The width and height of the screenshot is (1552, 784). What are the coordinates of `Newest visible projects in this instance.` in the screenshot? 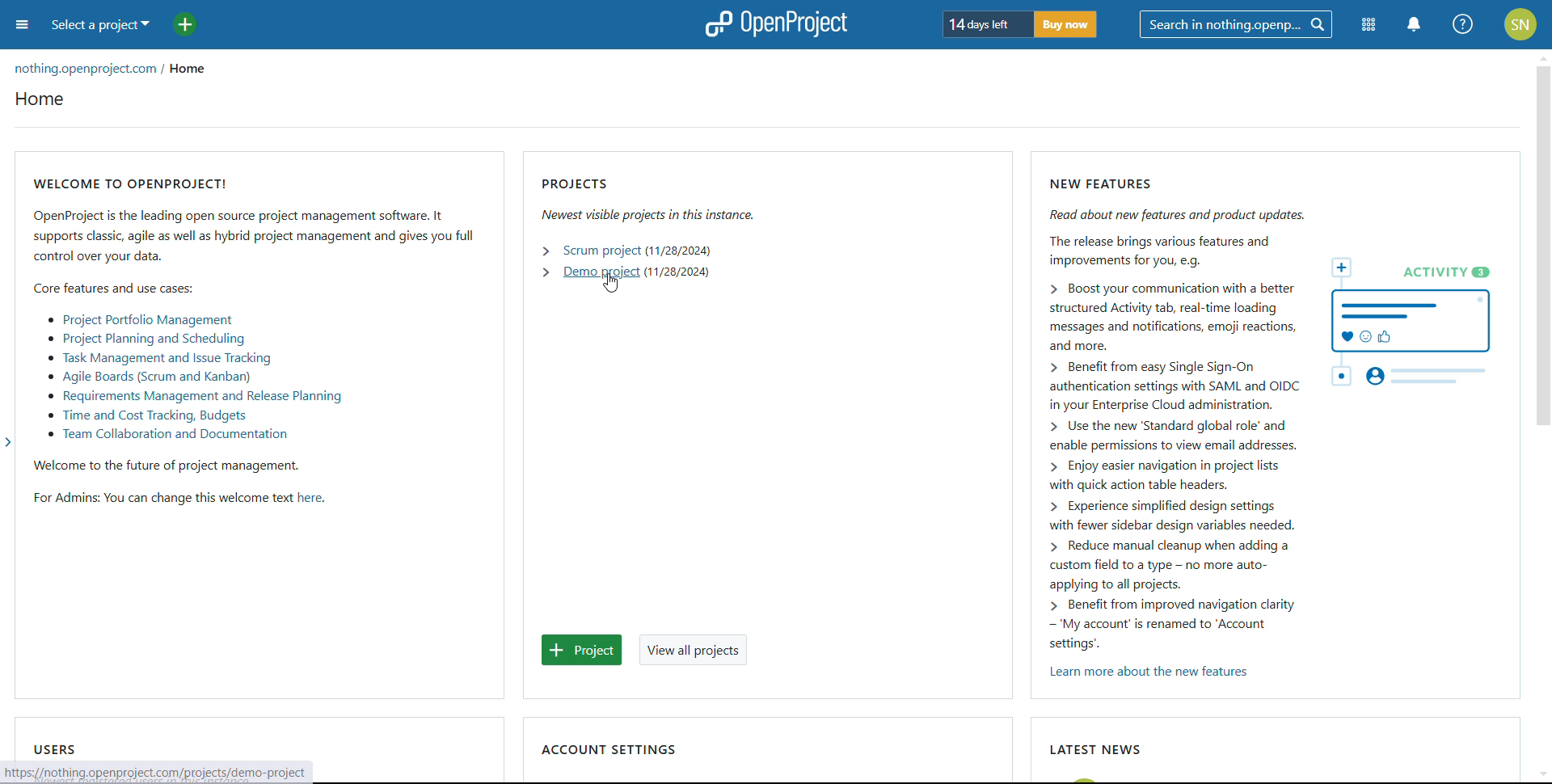 It's located at (654, 216).